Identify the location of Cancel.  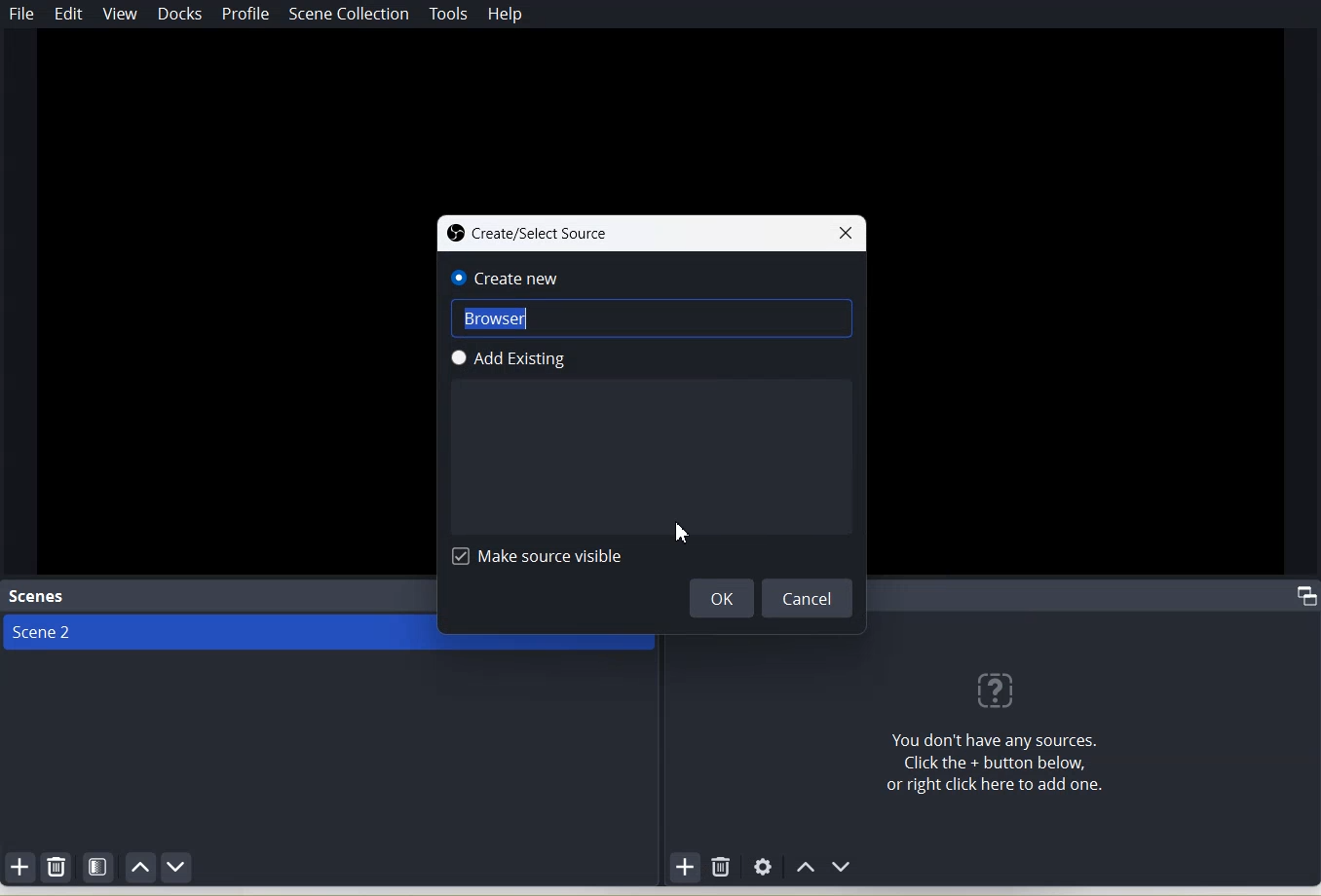
(809, 598).